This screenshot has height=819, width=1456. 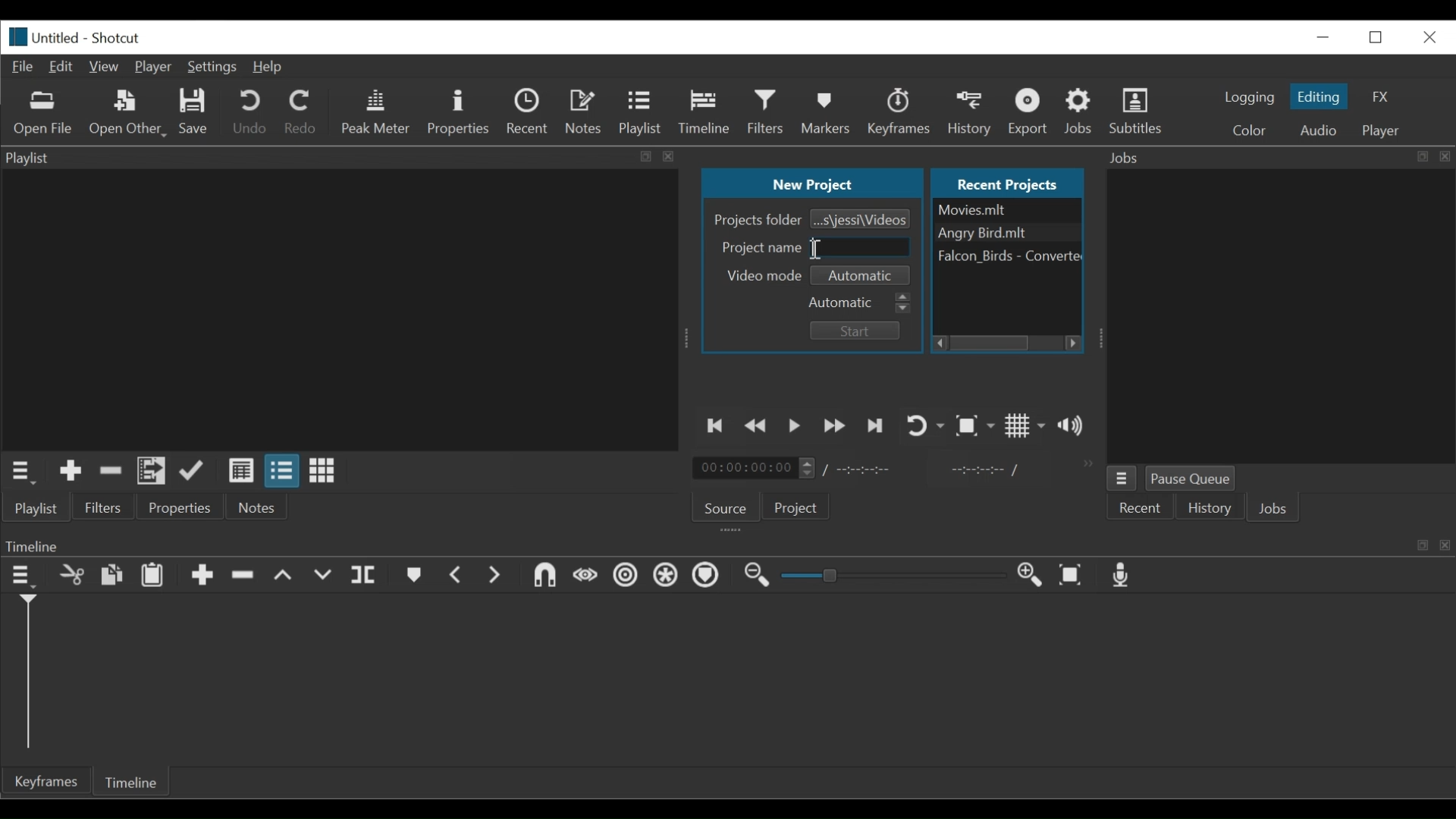 What do you see at coordinates (529, 109) in the screenshot?
I see `Recent` at bounding box center [529, 109].